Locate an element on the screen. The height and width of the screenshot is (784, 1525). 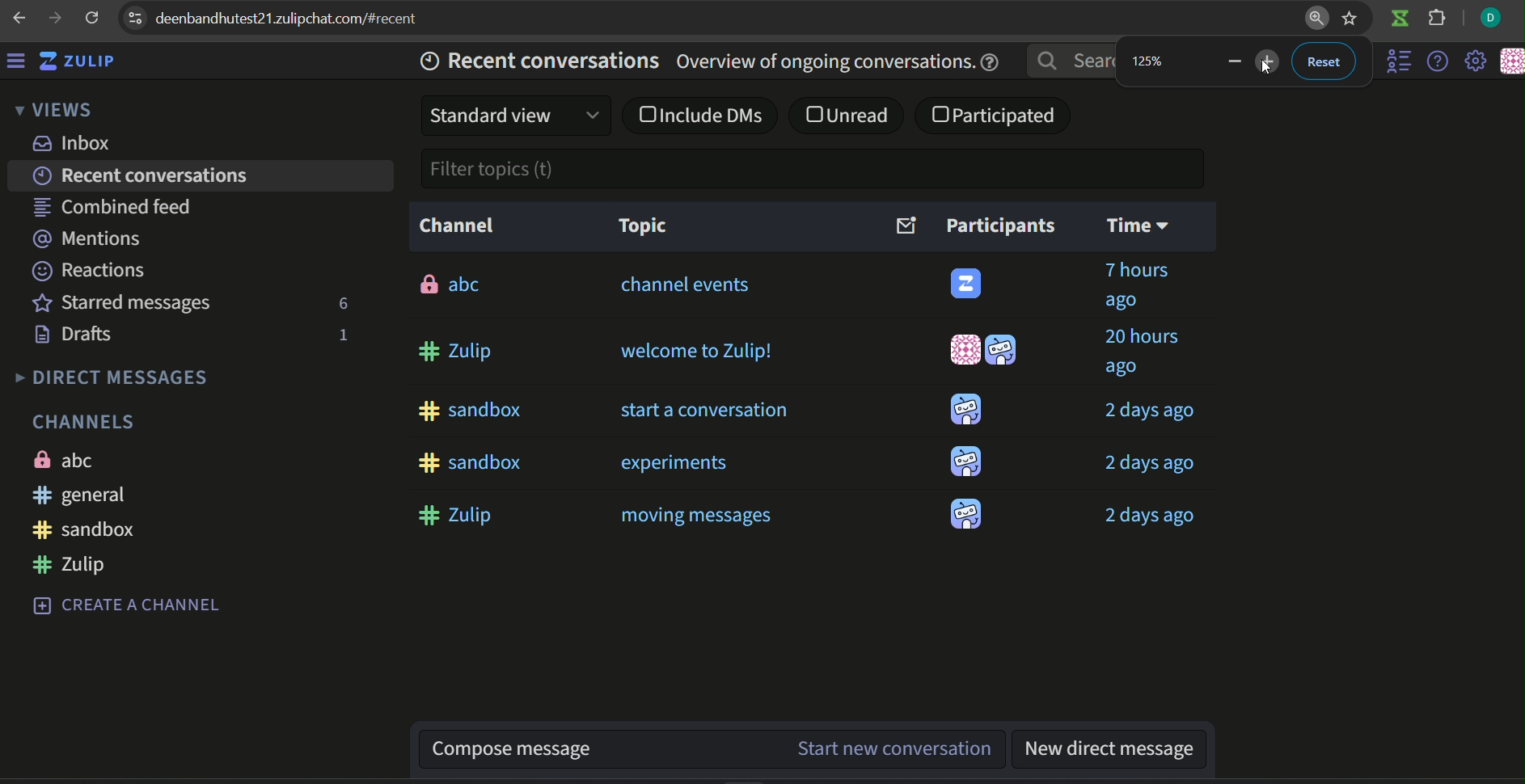
recent conversations is located at coordinates (143, 174).